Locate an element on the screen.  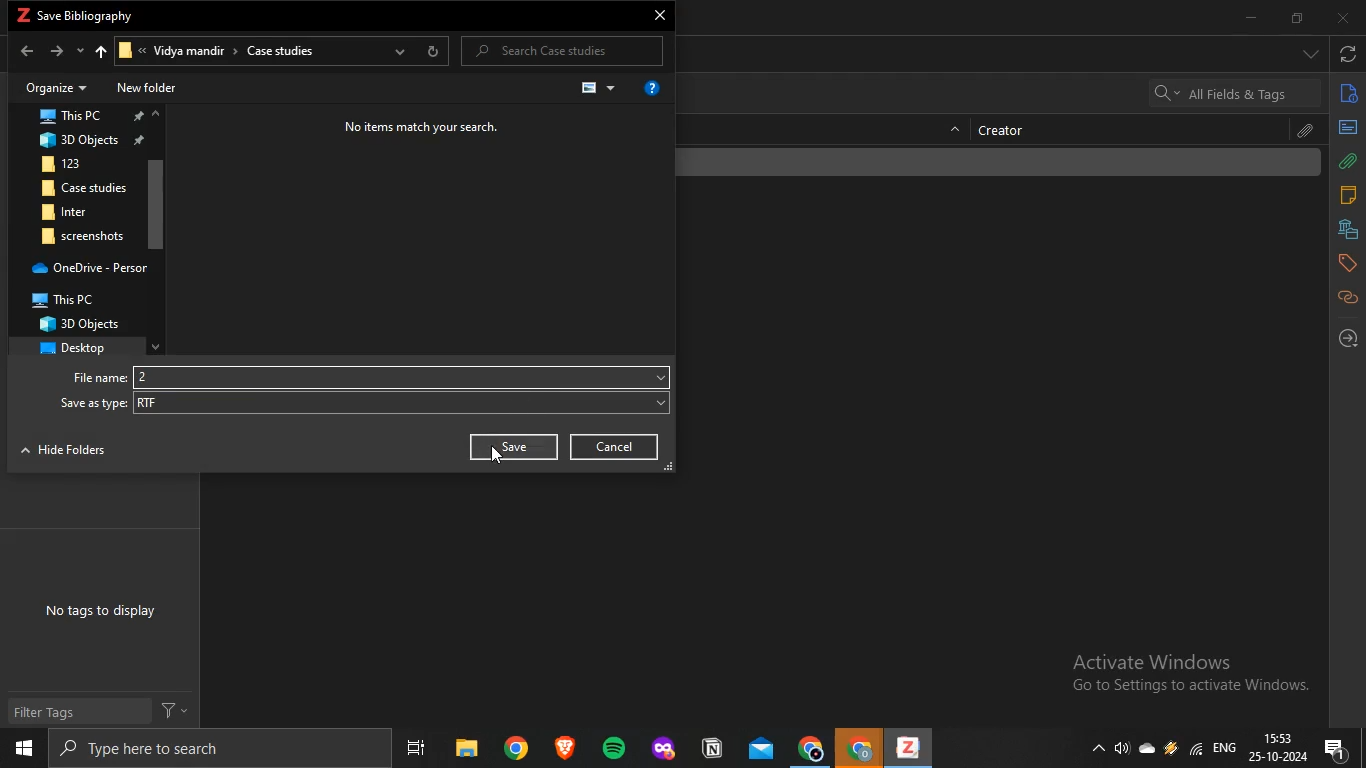
files is located at coordinates (465, 748).